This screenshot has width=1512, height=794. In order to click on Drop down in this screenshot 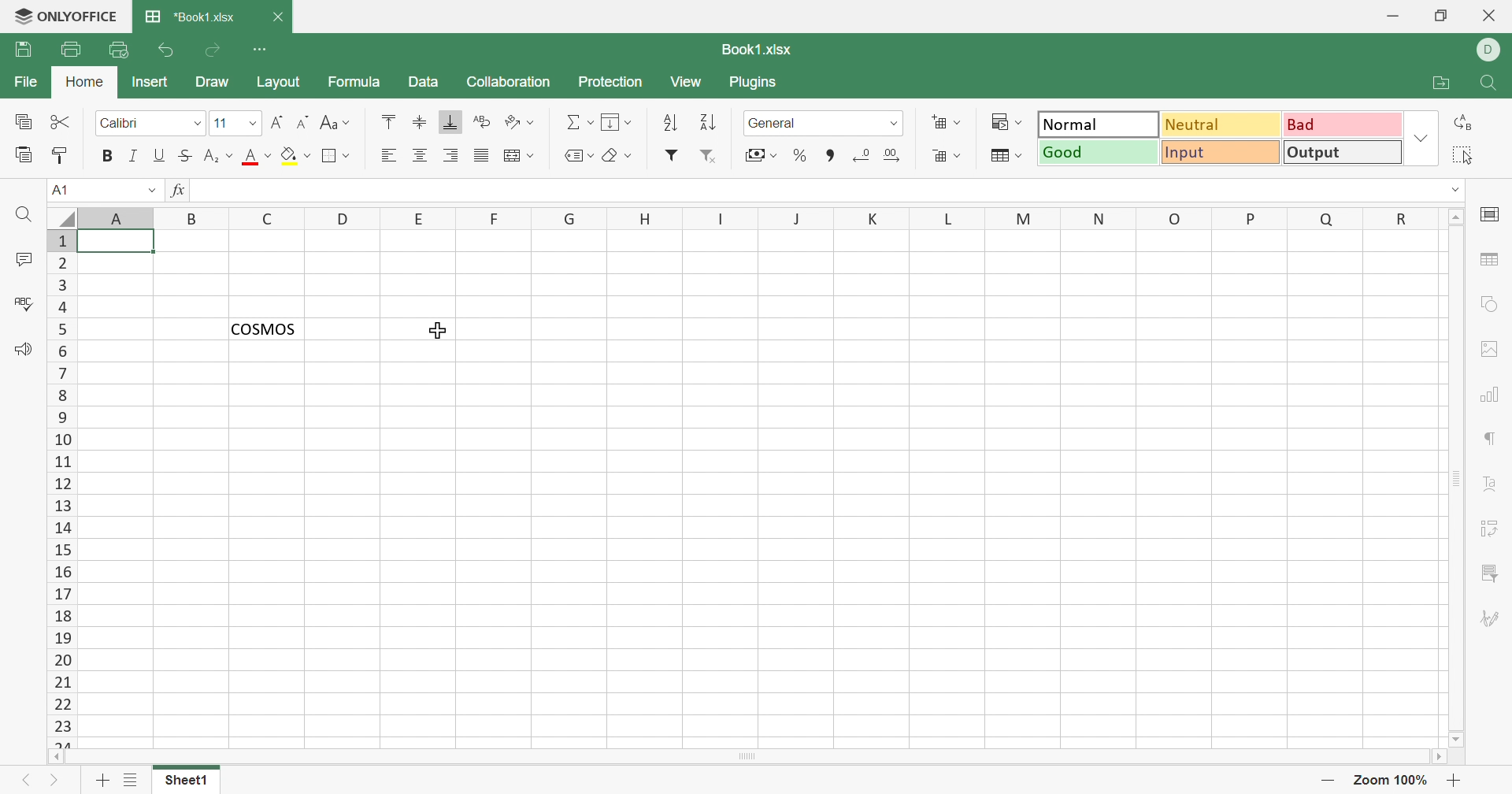, I will do `click(895, 124)`.